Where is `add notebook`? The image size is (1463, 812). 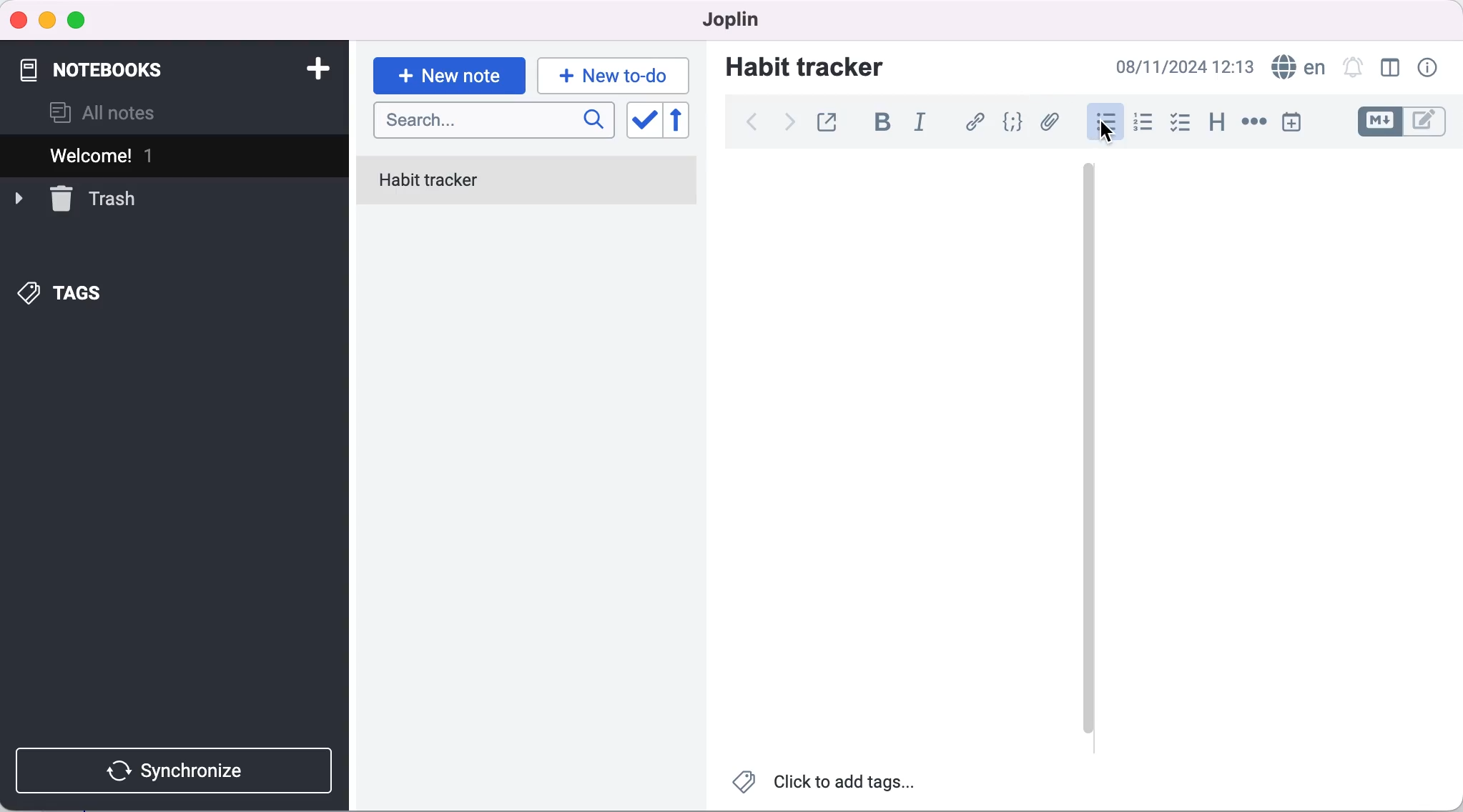 add notebook is located at coordinates (315, 67).